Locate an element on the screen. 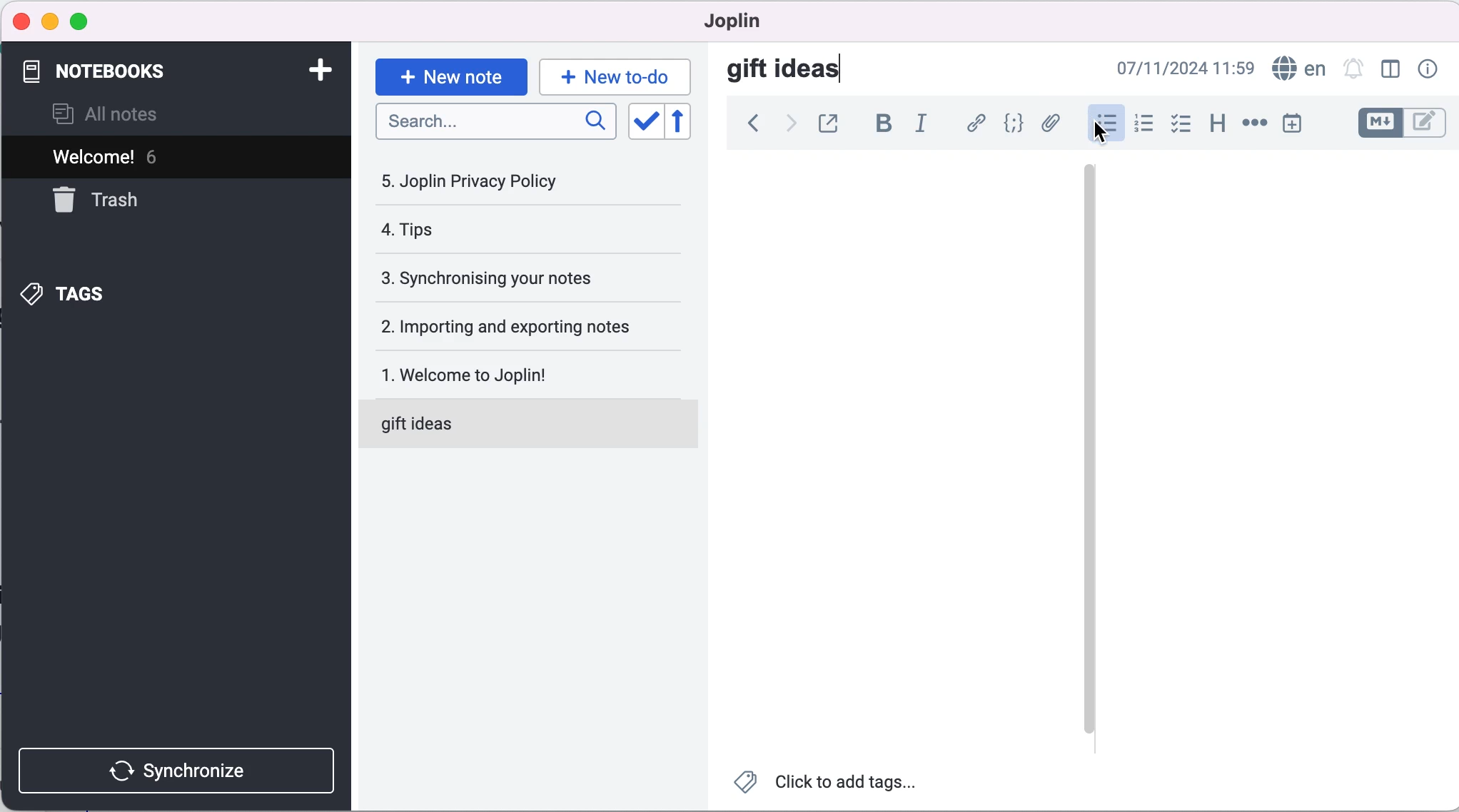  horizontal rule is located at coordinates (1254, 125).